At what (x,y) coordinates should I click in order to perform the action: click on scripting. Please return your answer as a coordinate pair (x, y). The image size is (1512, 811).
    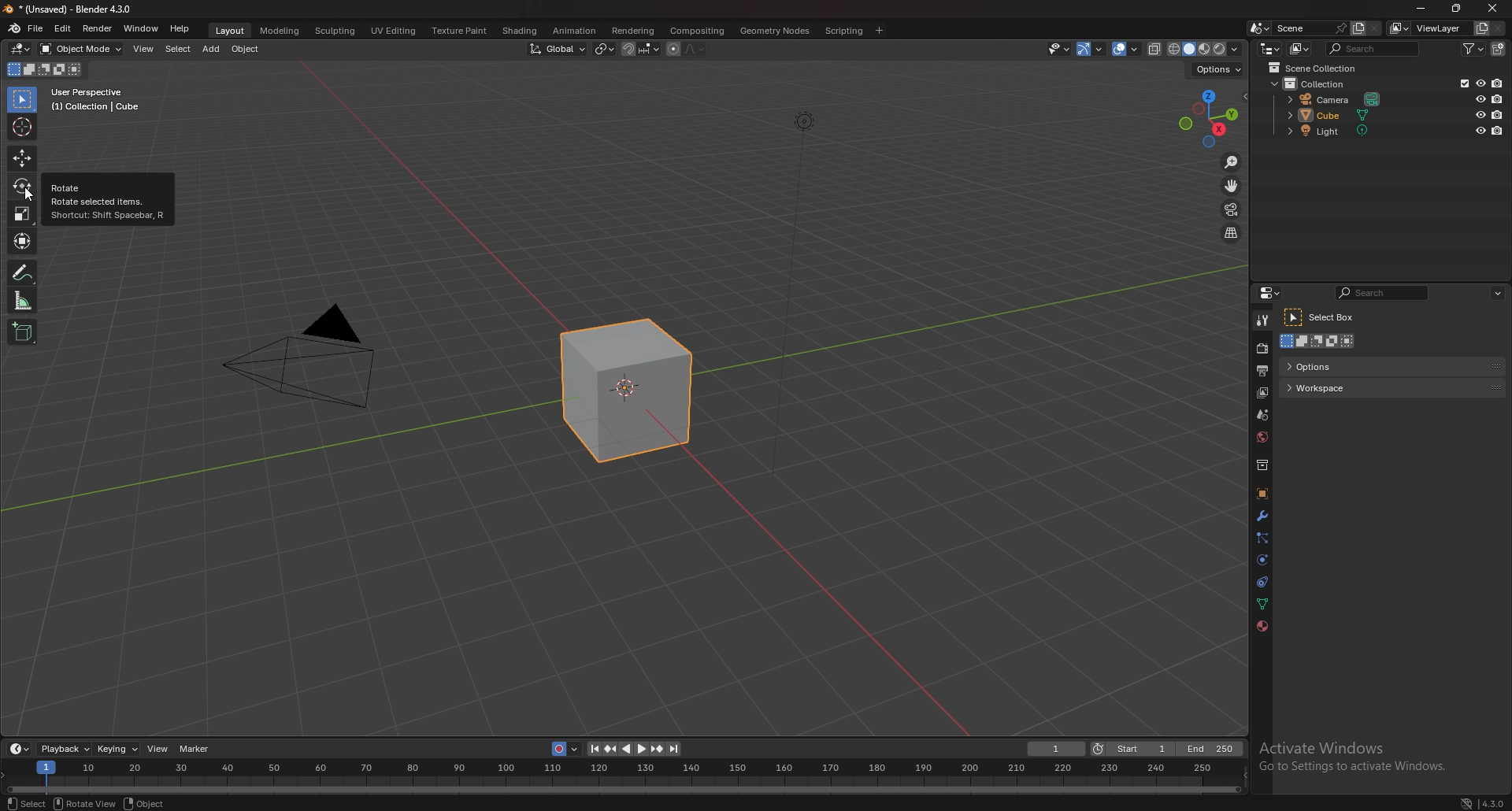
    Looking at the image, I should click on (844, 30).